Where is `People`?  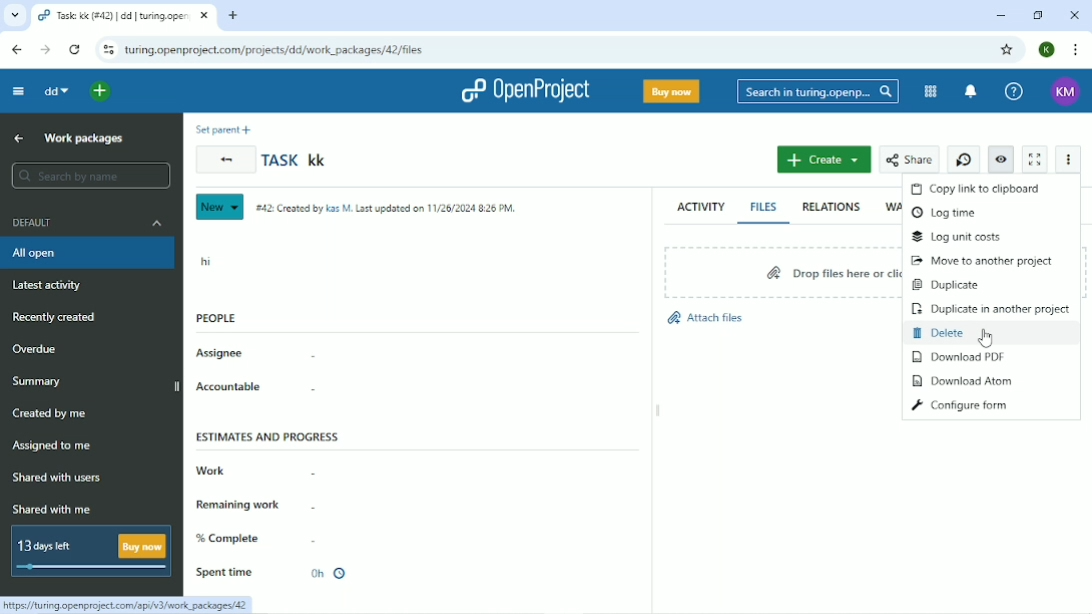
People is located at coordinates (243, 316).